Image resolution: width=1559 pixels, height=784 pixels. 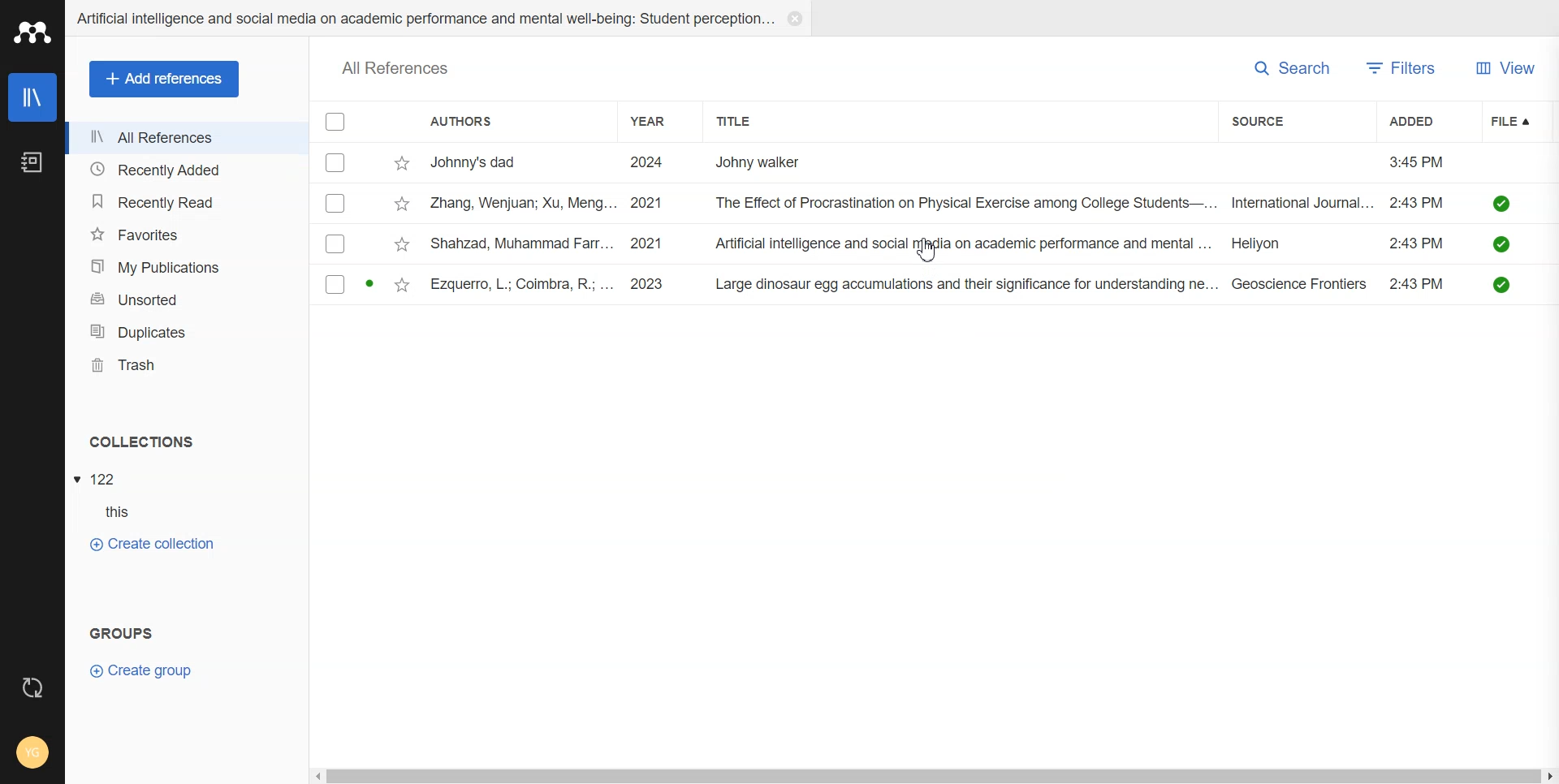 I want to click on this, so click(x=127, y=512).